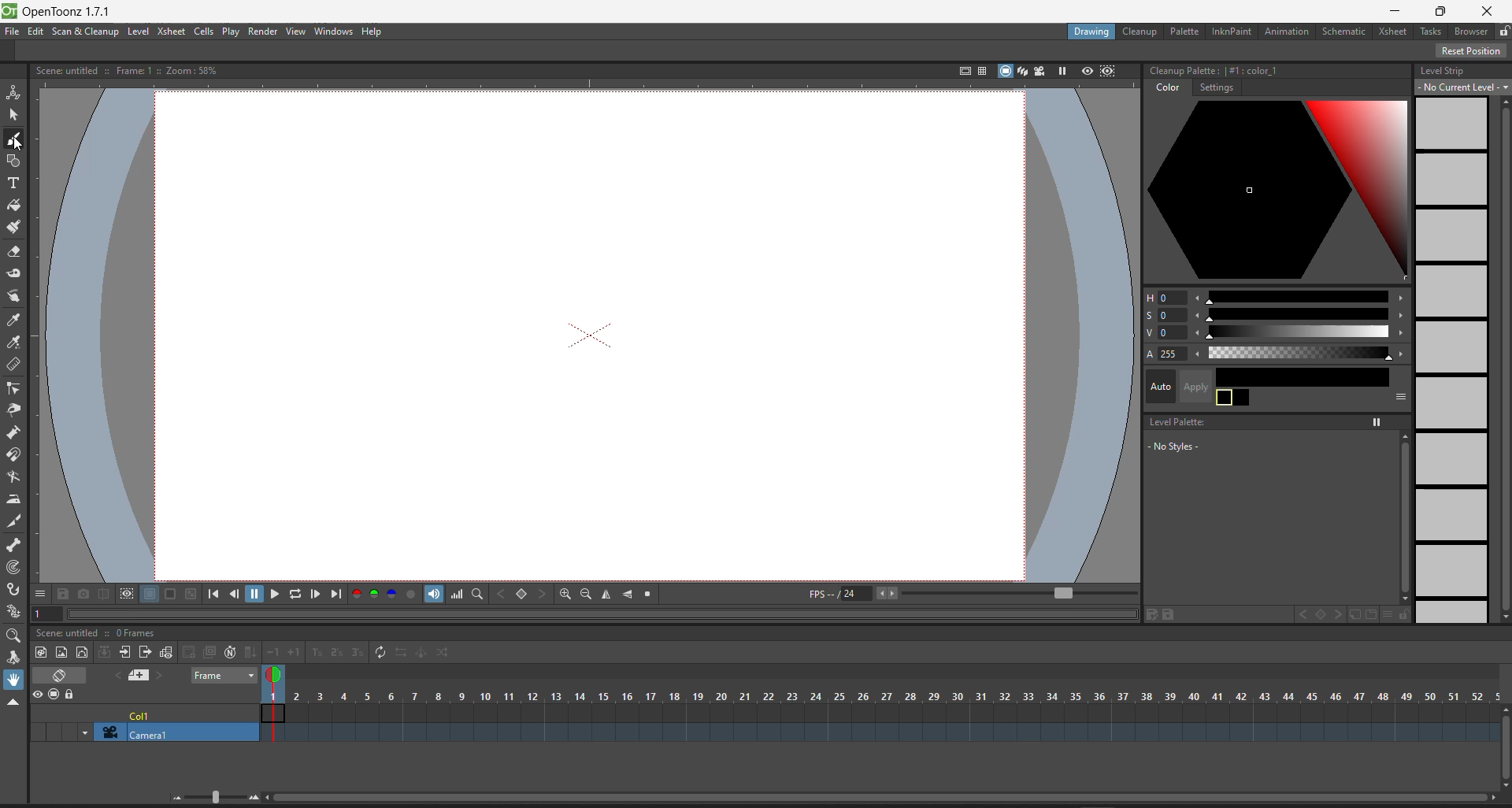  What do you see at coordinates (14, 544) in the screenshot?
I see `skeleton tool` at bounding box center [14, 544].